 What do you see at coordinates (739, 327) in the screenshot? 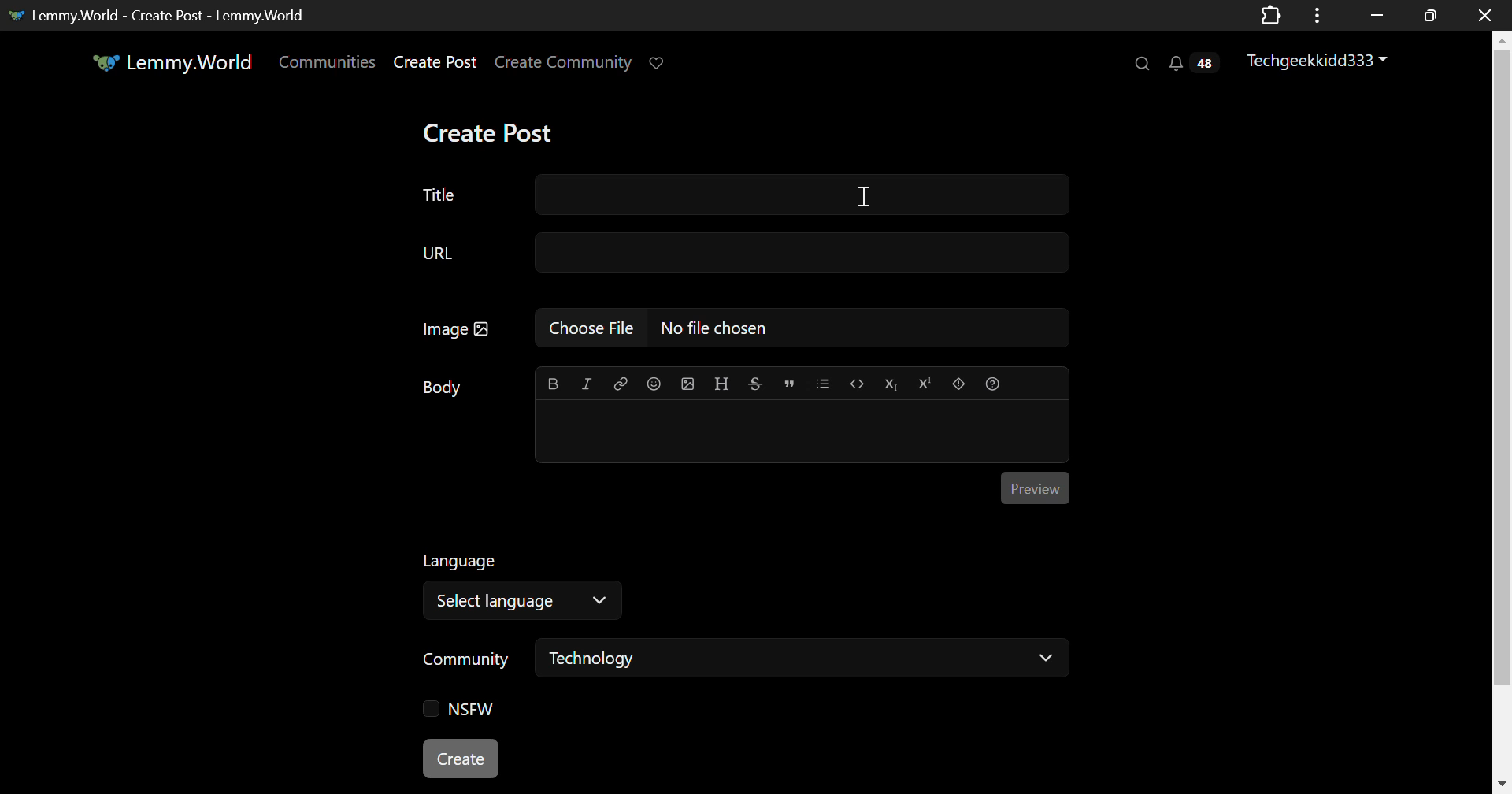
I see `Image: No file chossen` at bounding box center [739, 327].